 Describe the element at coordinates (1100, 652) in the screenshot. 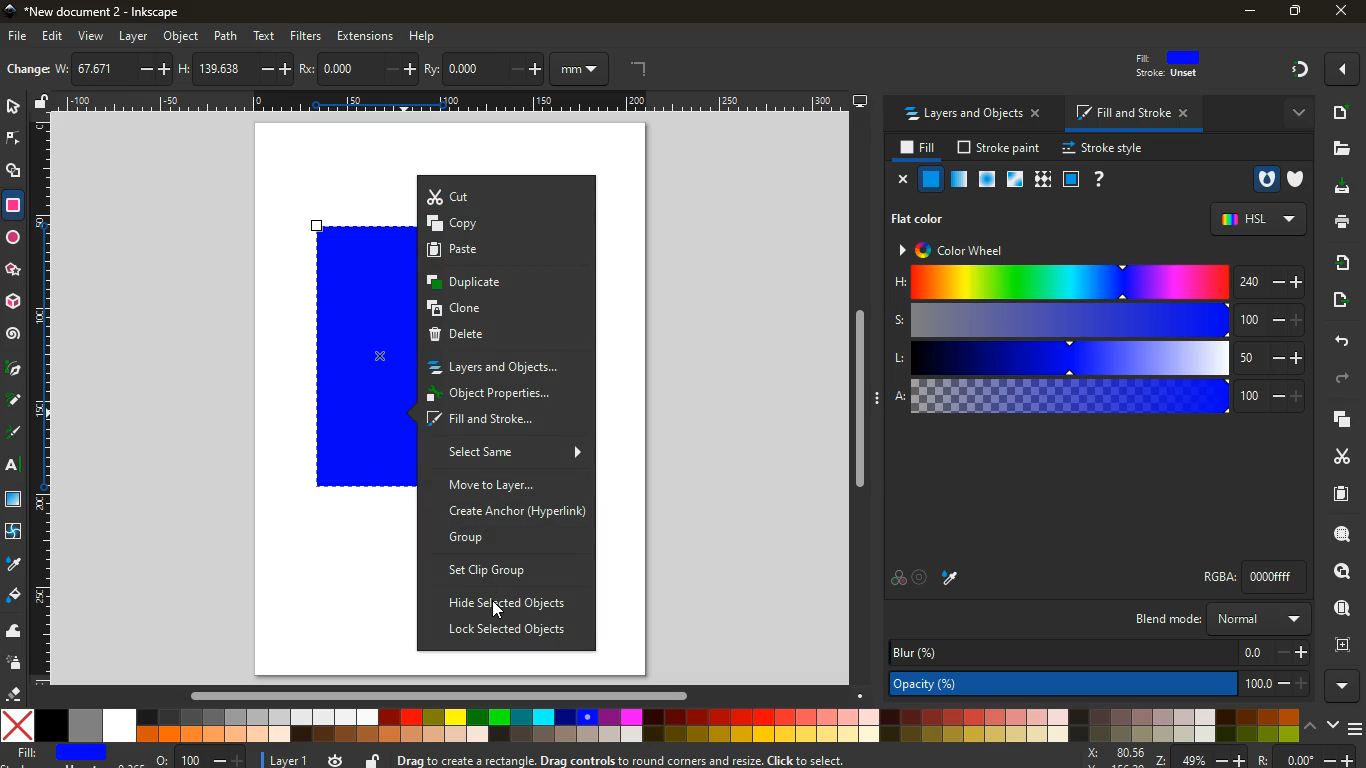

I see `blur` at that location.